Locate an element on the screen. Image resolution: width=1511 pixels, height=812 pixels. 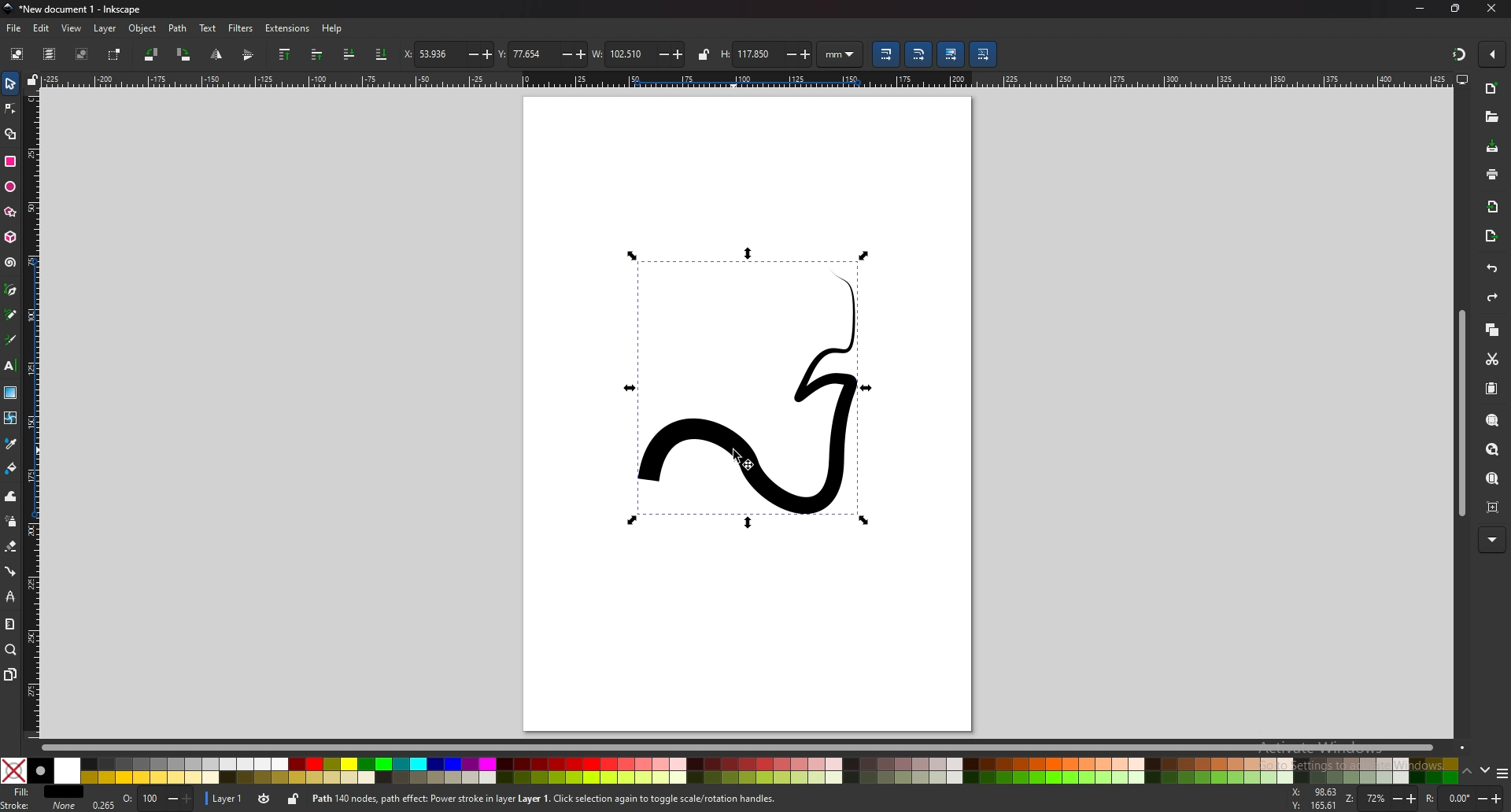
zoom page is located at coordinates (1492, 479).